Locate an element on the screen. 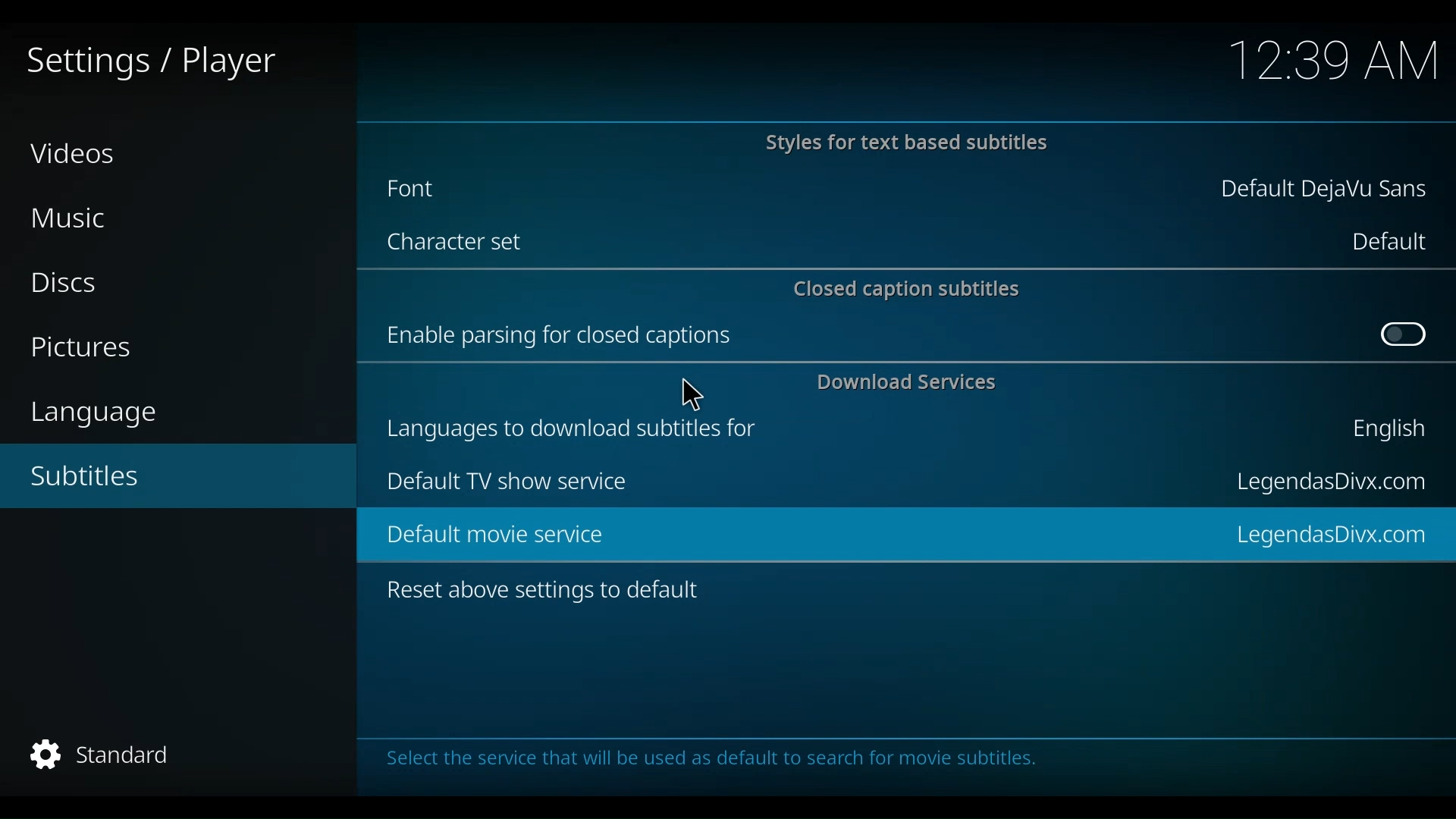  Reset above settings to default is located at coordinates (545, 593).